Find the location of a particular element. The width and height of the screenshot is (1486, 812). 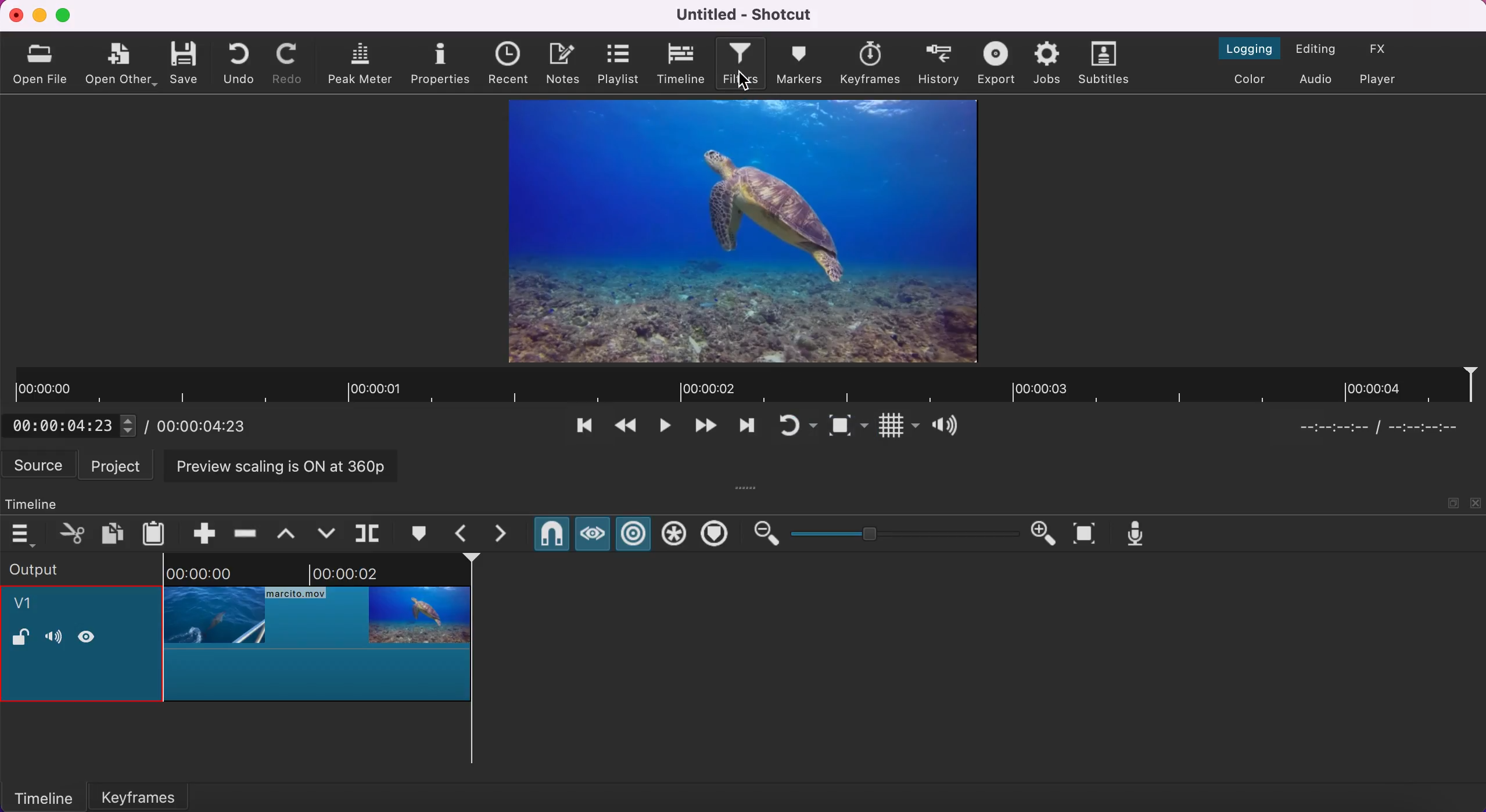

switch to the logging layout is located at coordinates (1243, 45).